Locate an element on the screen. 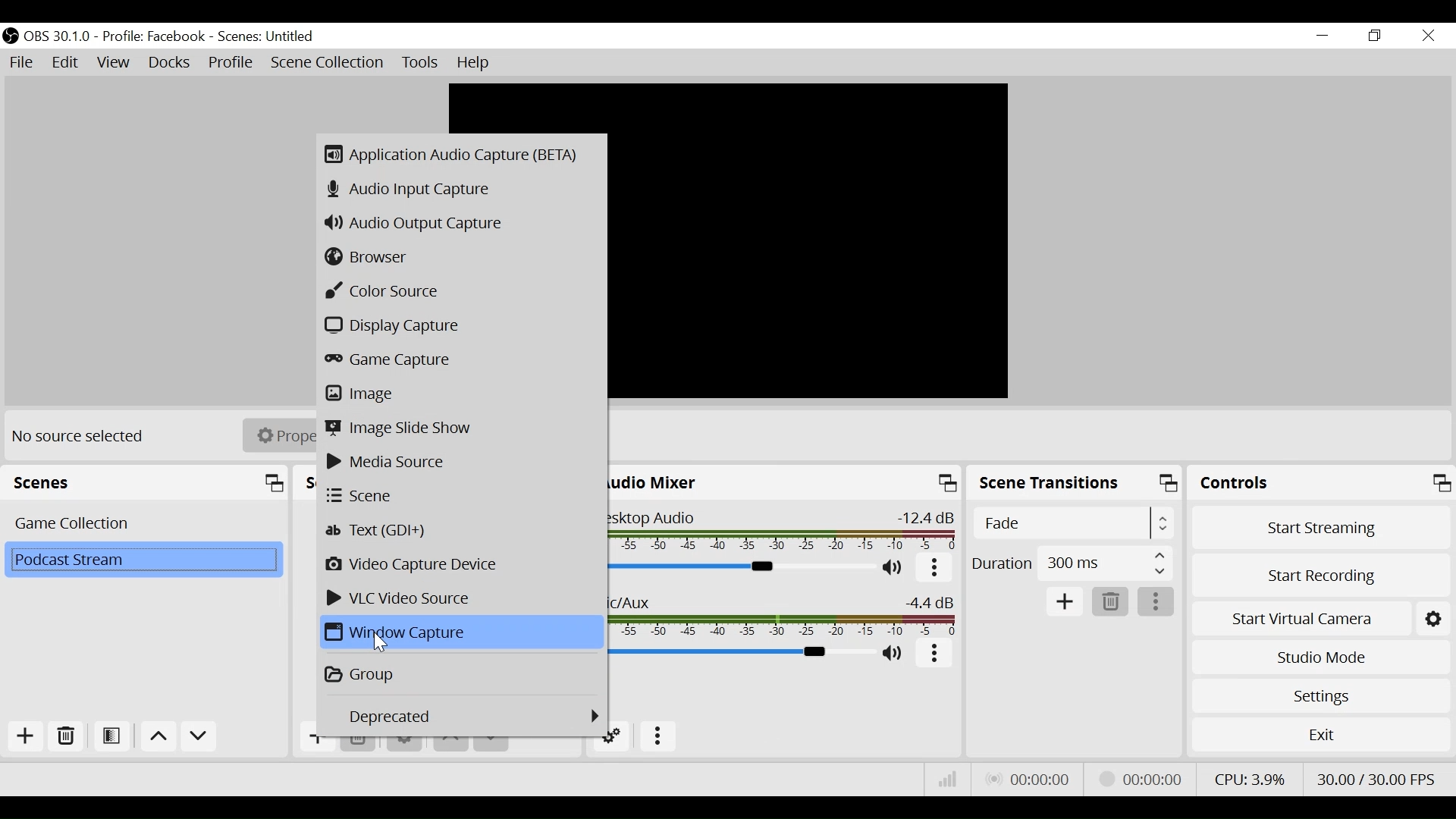  Select Scene Transitions is located at coordinates (1075, 522).